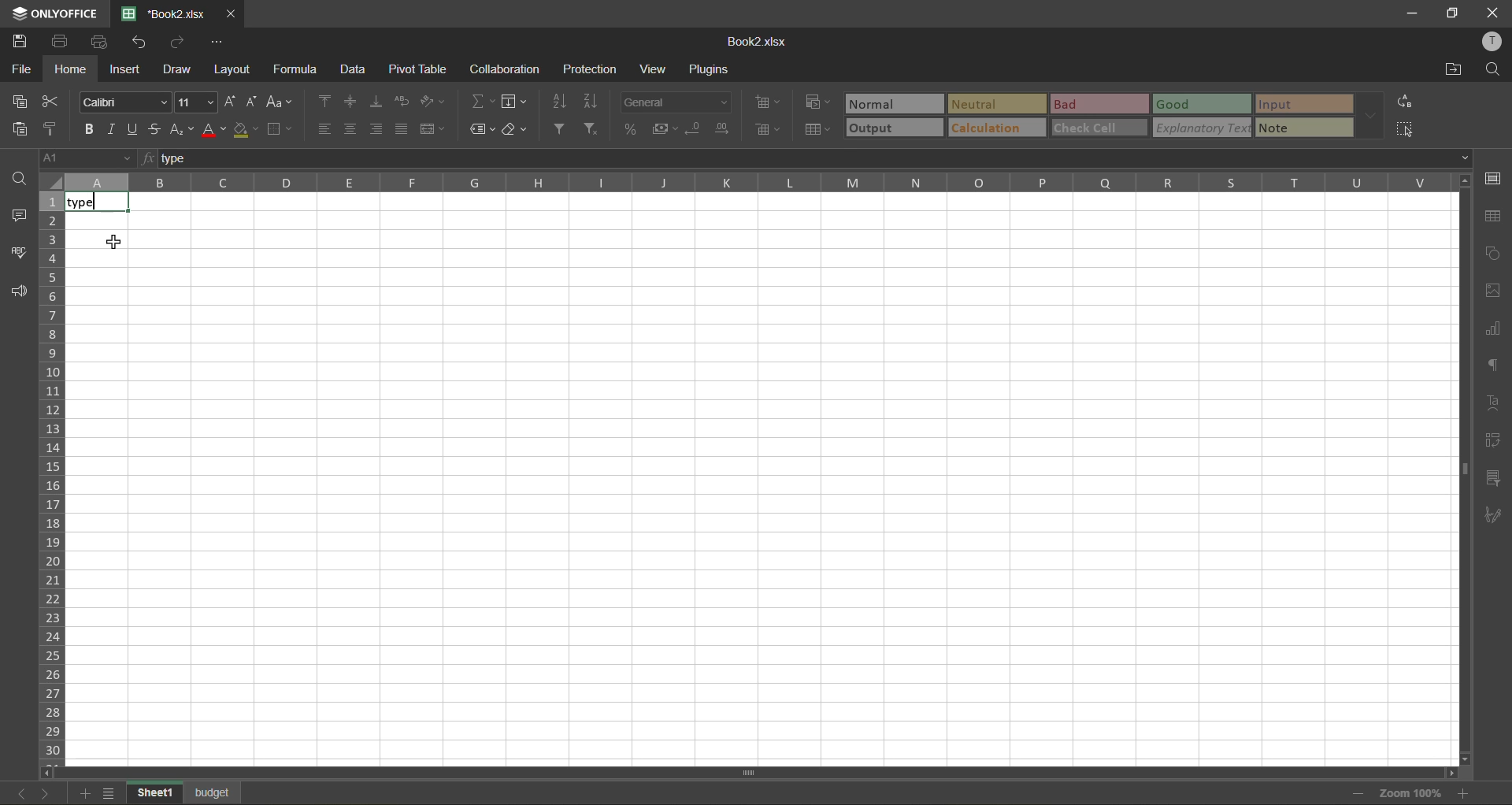  What do you see at coordinates (769, 104) in the screenshot?
I see `insert cells ` at bounding box center [769, 104].